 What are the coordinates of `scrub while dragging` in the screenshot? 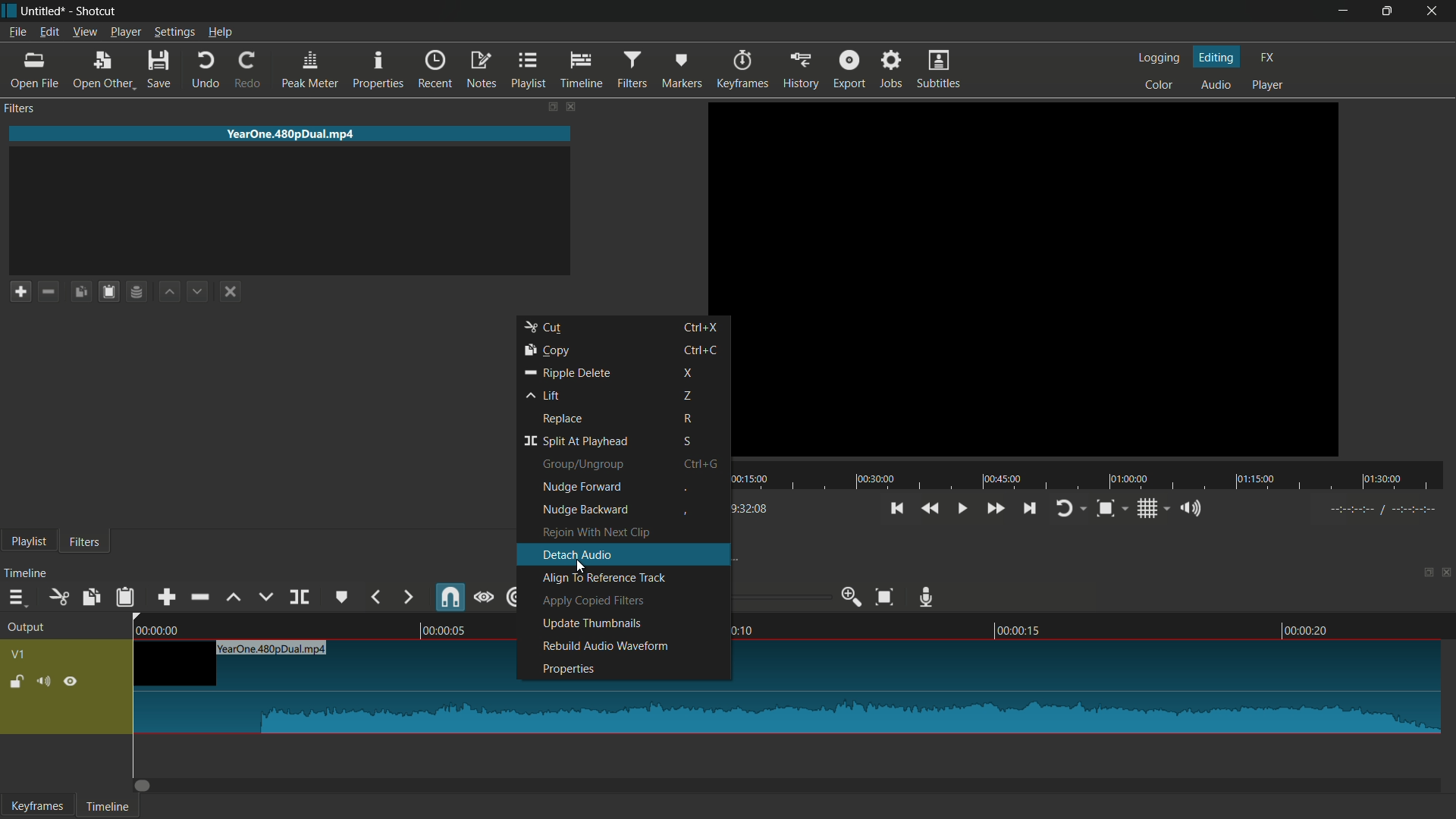 It's located at (485, 597).